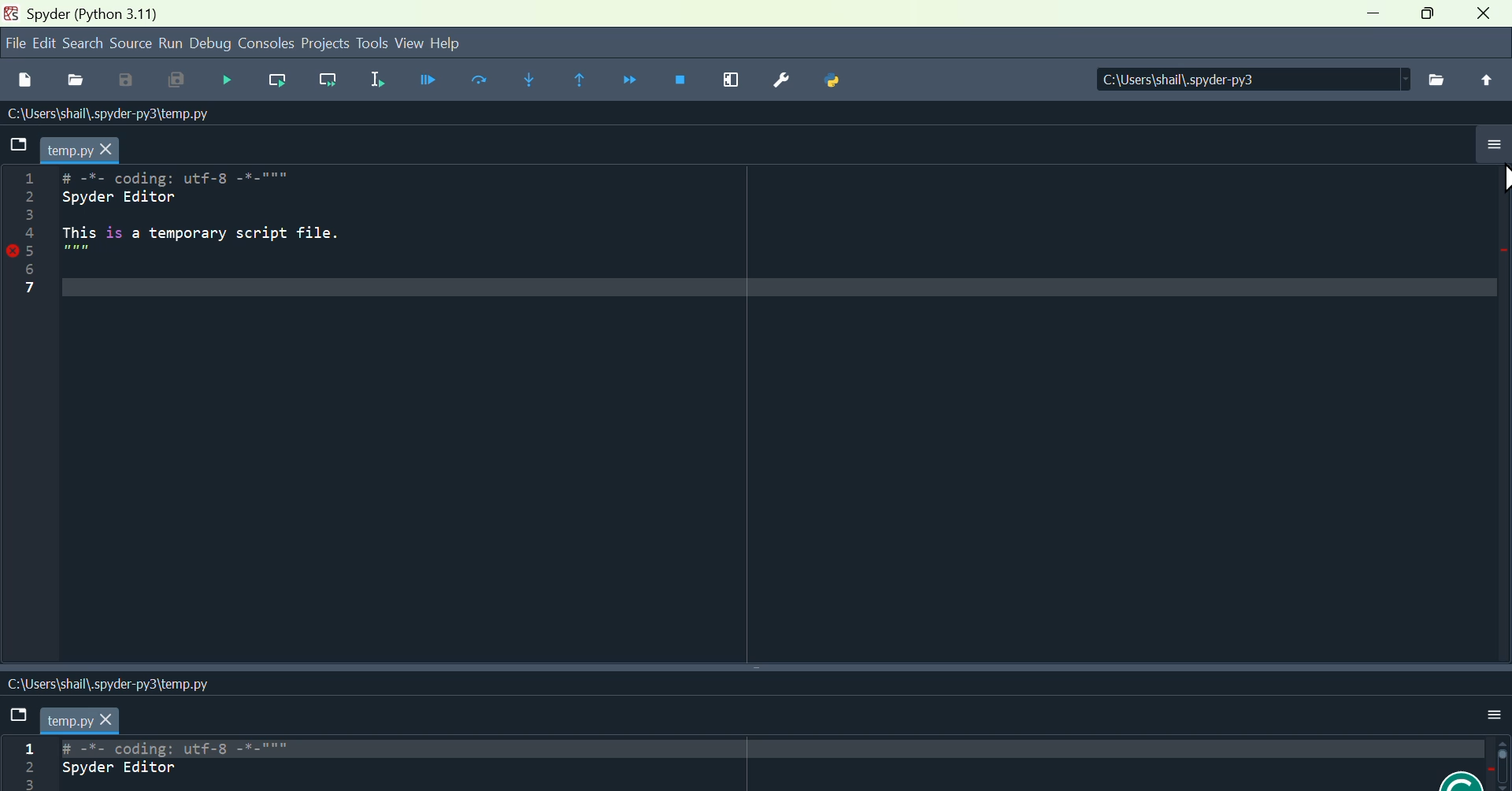  I want to click on , so click(46, 43).